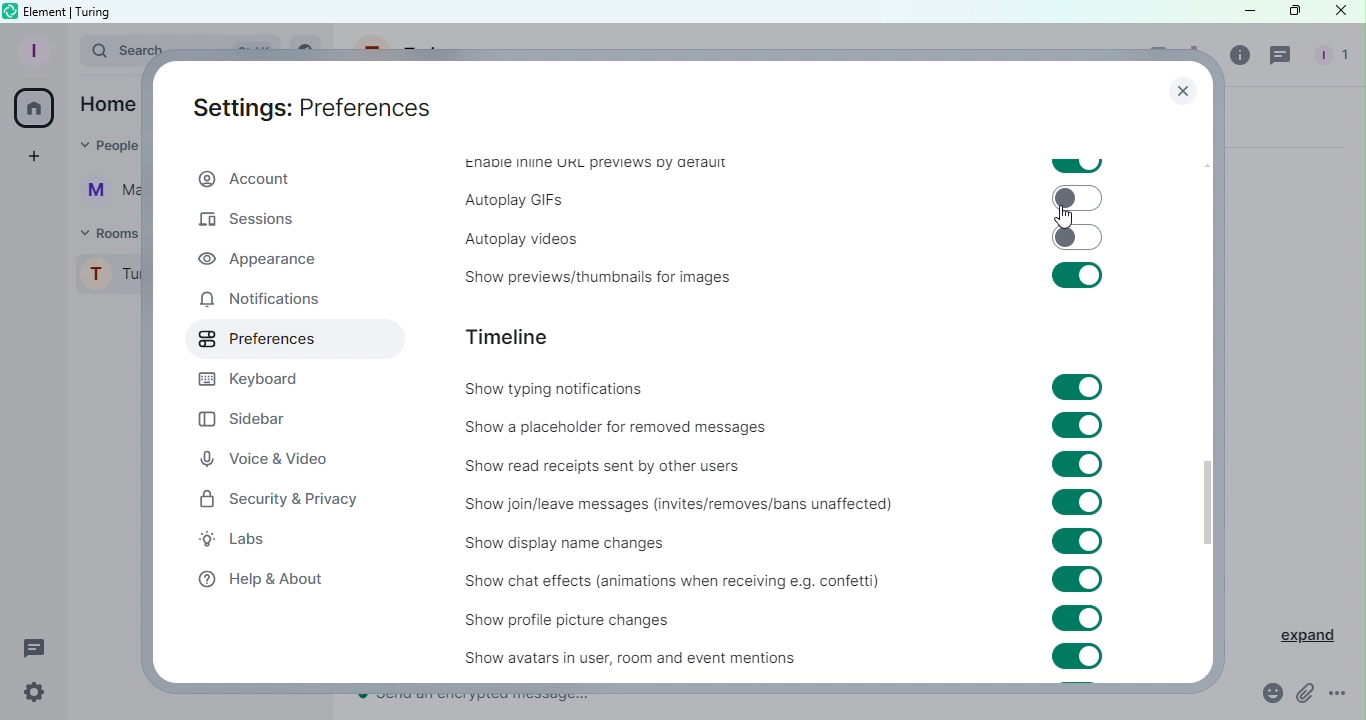  What do you see at coordinates (1305, 695) in the screenshot?
I see `Attachment` at bounding box center [1305, 695].